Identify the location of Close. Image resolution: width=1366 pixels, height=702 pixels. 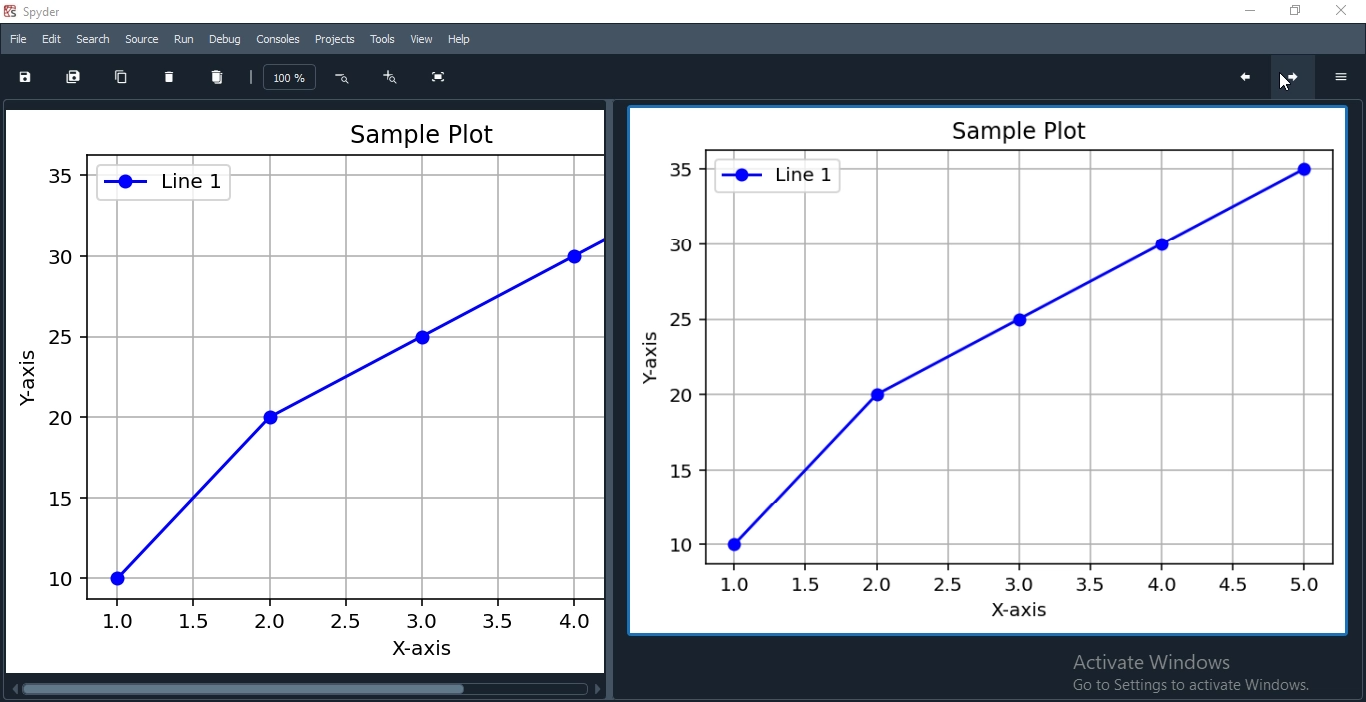
(1342, 13).